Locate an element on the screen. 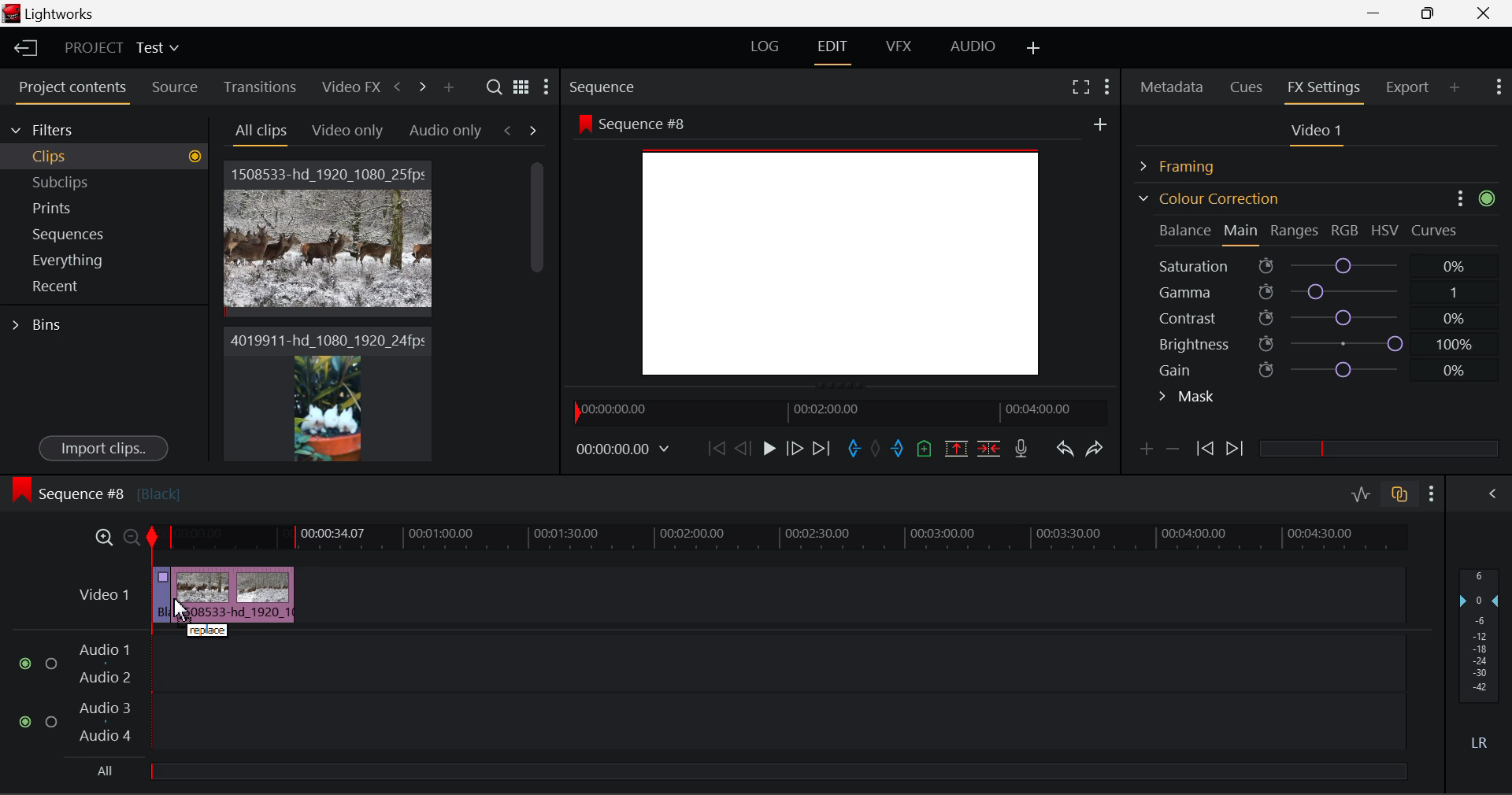 Image resolution: width=1512 pixels, height=795 pixels. Decibel Gain is located at coordinates (1478, 663).